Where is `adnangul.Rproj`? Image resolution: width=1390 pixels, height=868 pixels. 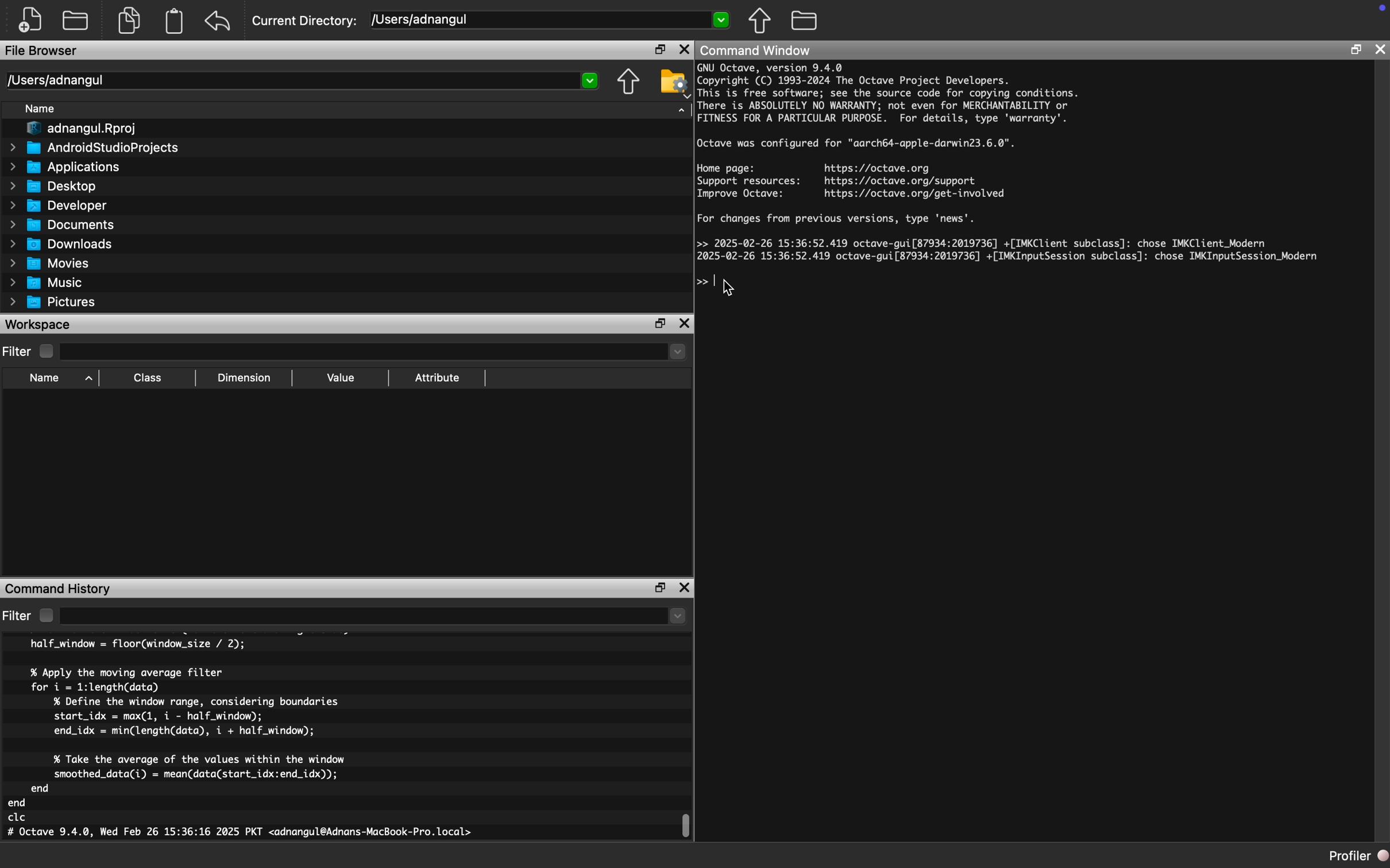
adnangul.Rproj is located at coordinates (82, 129).